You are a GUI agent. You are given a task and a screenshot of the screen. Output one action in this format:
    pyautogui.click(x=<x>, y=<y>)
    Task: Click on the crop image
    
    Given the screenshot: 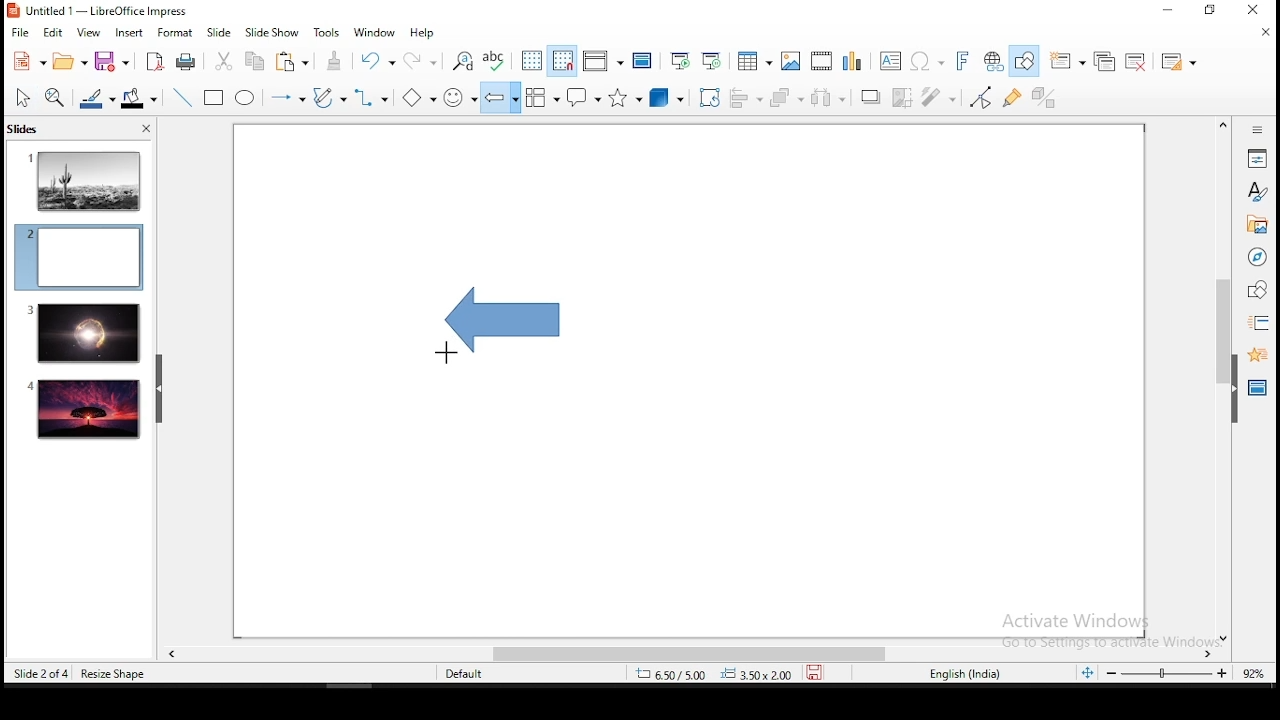 What is the action you would take?
    pyautogui.click(x=903, y=96)
    